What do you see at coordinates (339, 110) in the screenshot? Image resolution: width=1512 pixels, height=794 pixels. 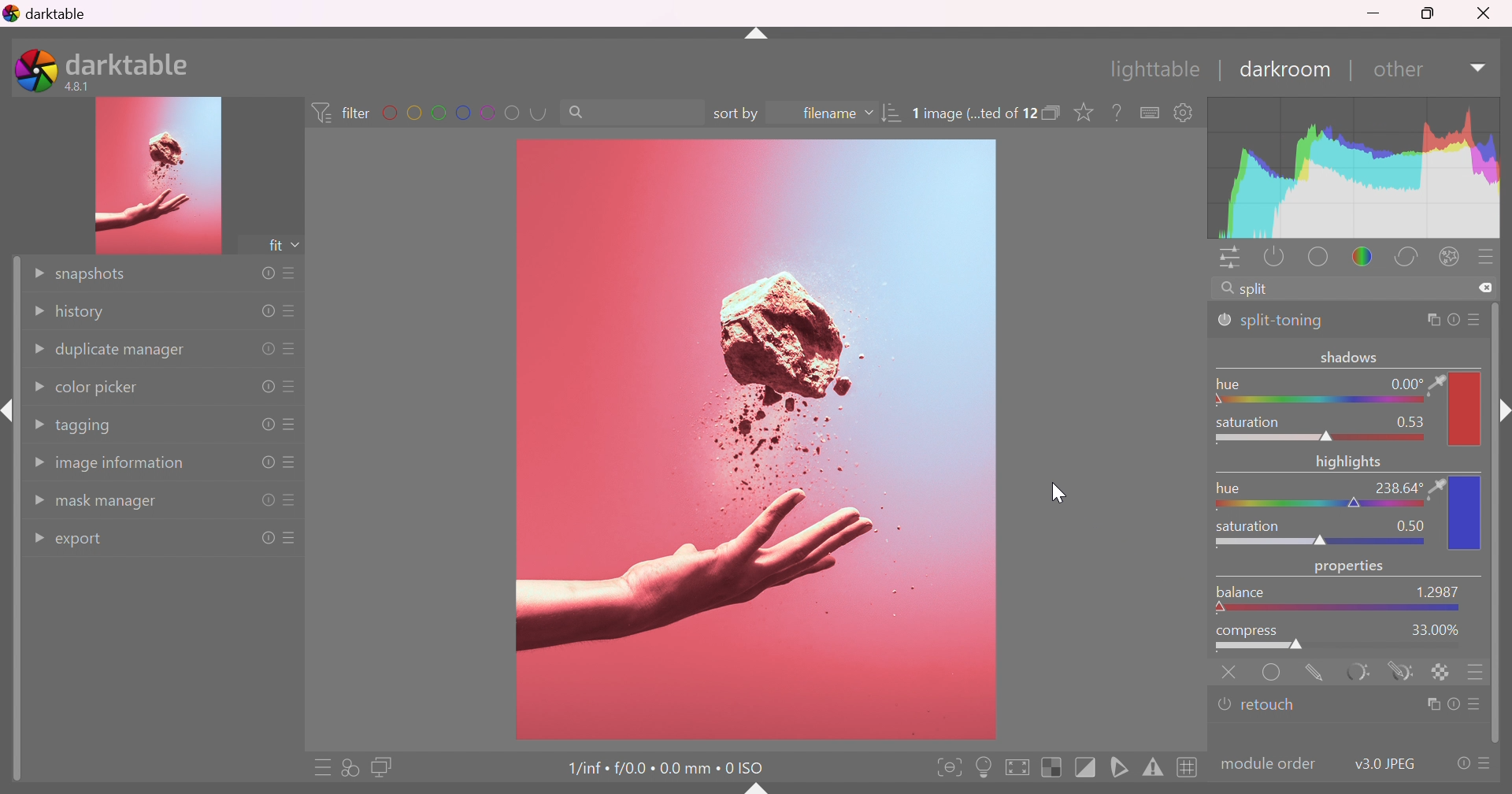 I see `filter` at bounding box center [339, 110].